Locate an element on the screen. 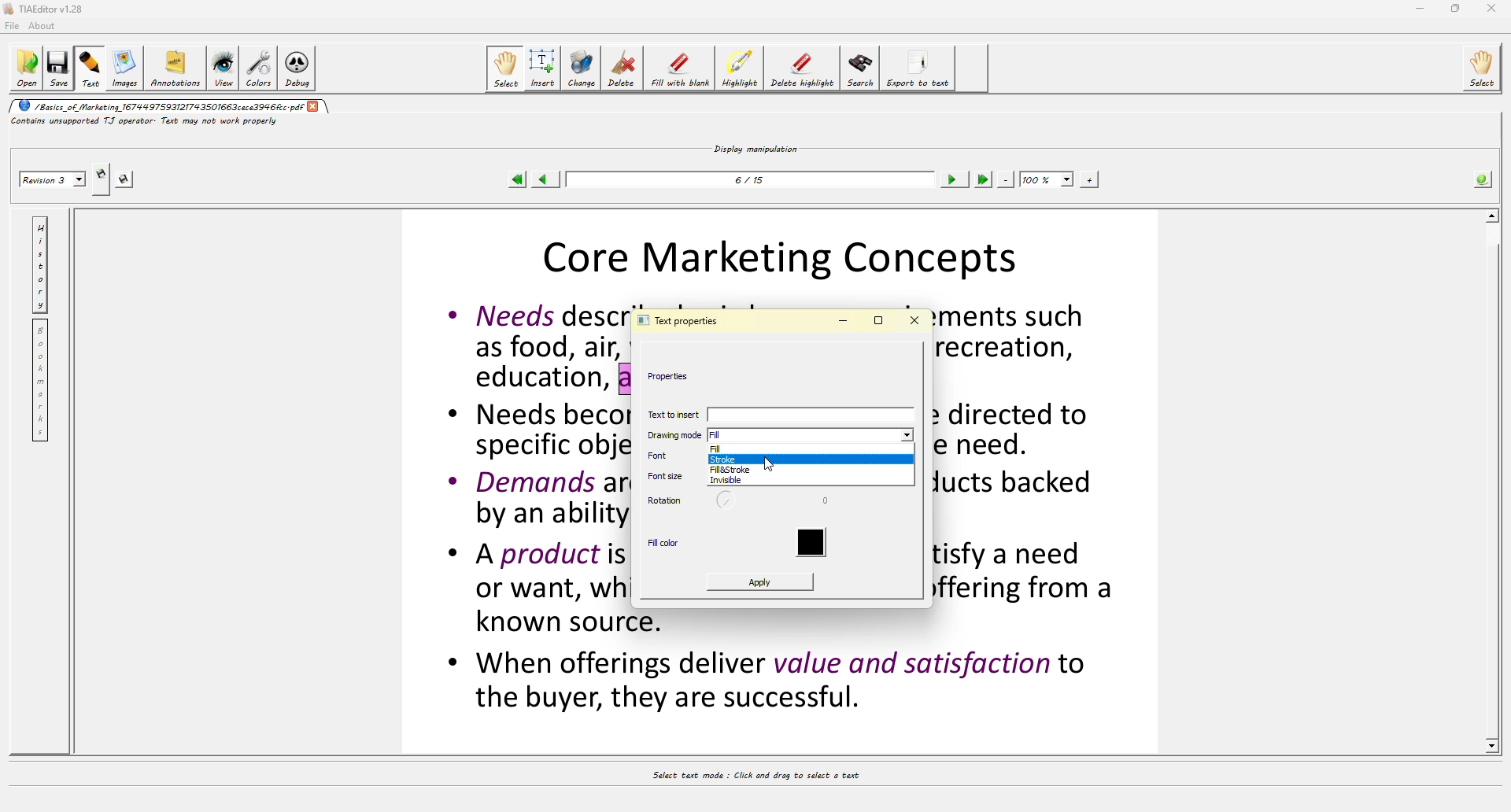  rotate is located at coordinates (726, 501).